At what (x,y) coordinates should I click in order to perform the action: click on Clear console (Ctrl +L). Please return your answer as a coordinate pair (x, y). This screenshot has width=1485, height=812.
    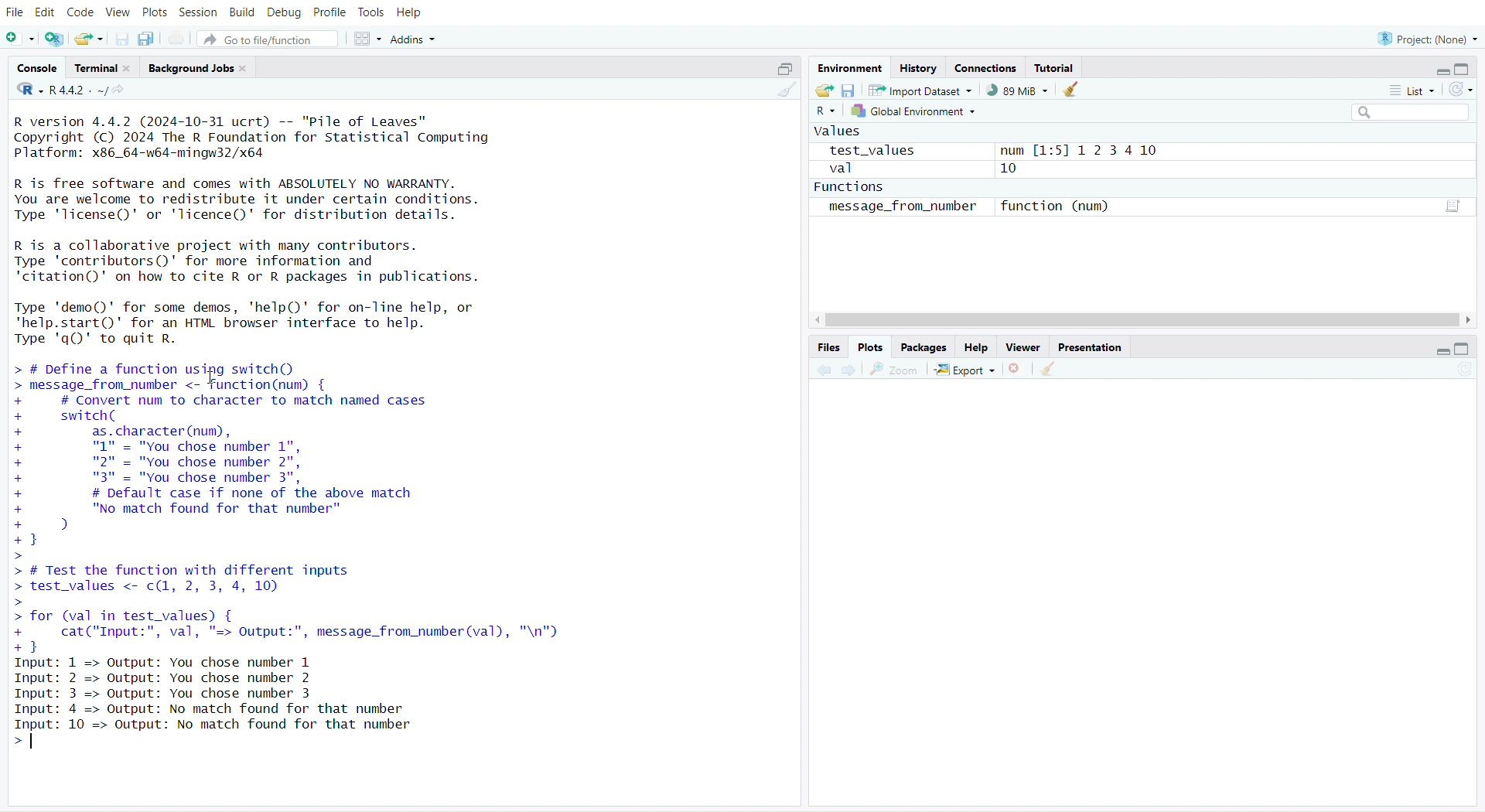
    Looking at the image, I should click on (783, 92).